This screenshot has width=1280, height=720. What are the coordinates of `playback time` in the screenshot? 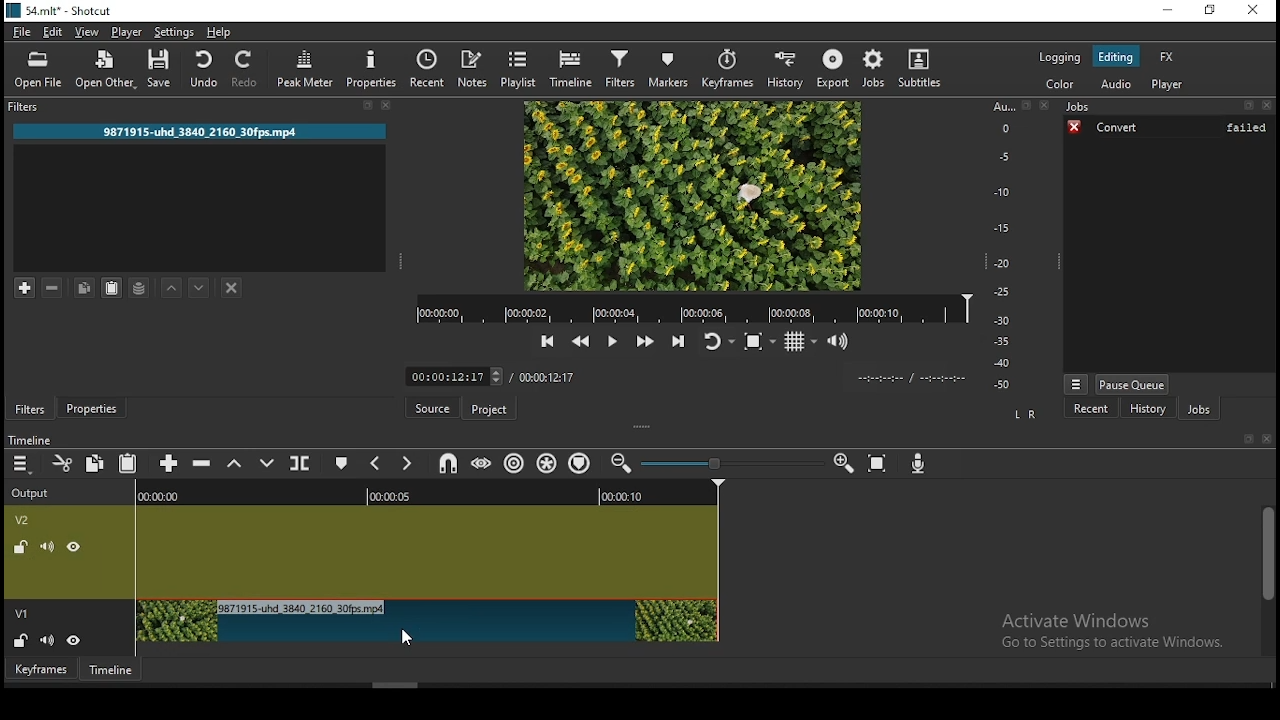 It's located at (693, 309).